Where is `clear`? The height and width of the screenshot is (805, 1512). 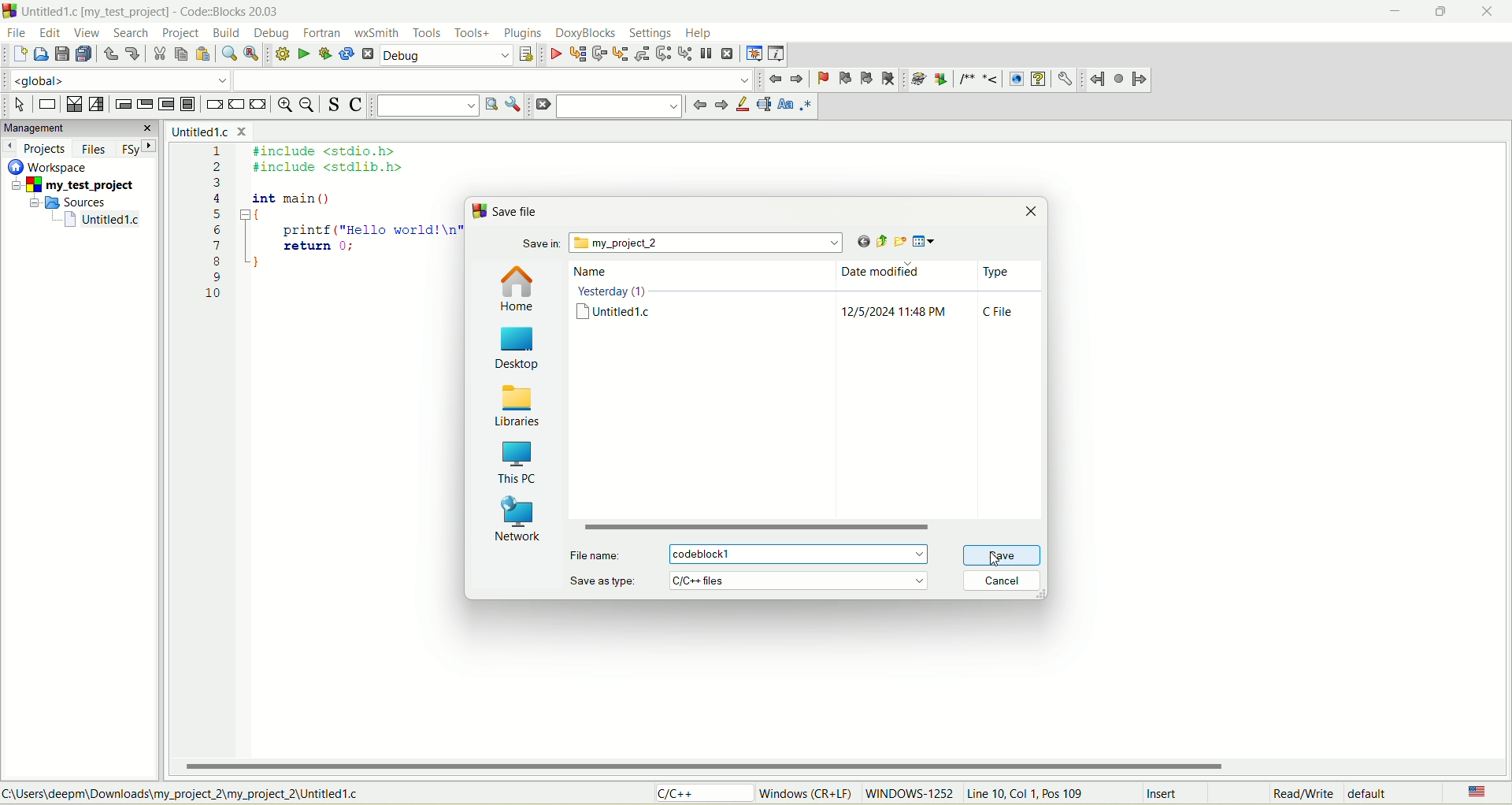
clear is located at coordinates (542, 106).